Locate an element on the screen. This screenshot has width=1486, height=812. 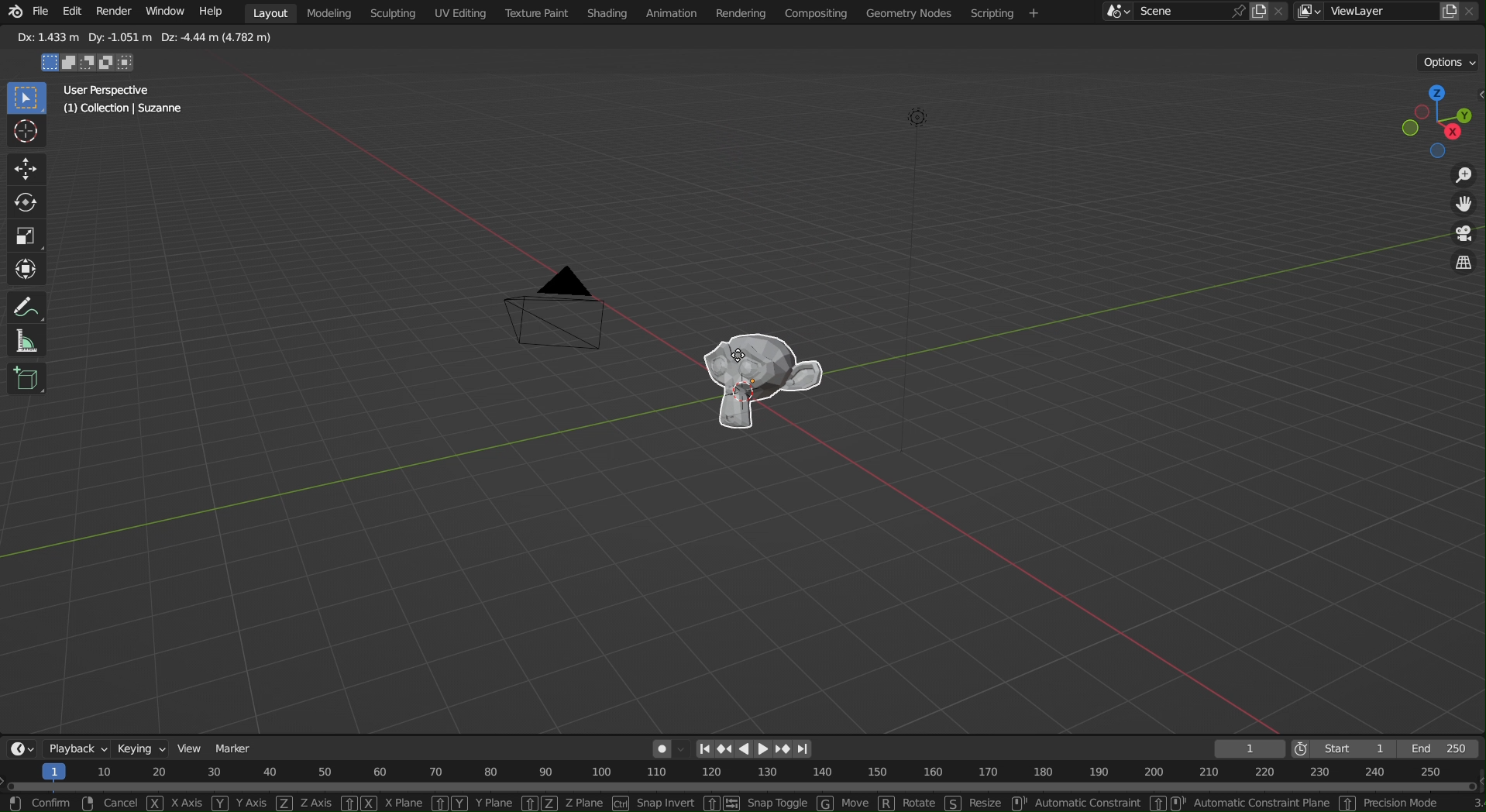
pin is located at coordinates (1238, 12).